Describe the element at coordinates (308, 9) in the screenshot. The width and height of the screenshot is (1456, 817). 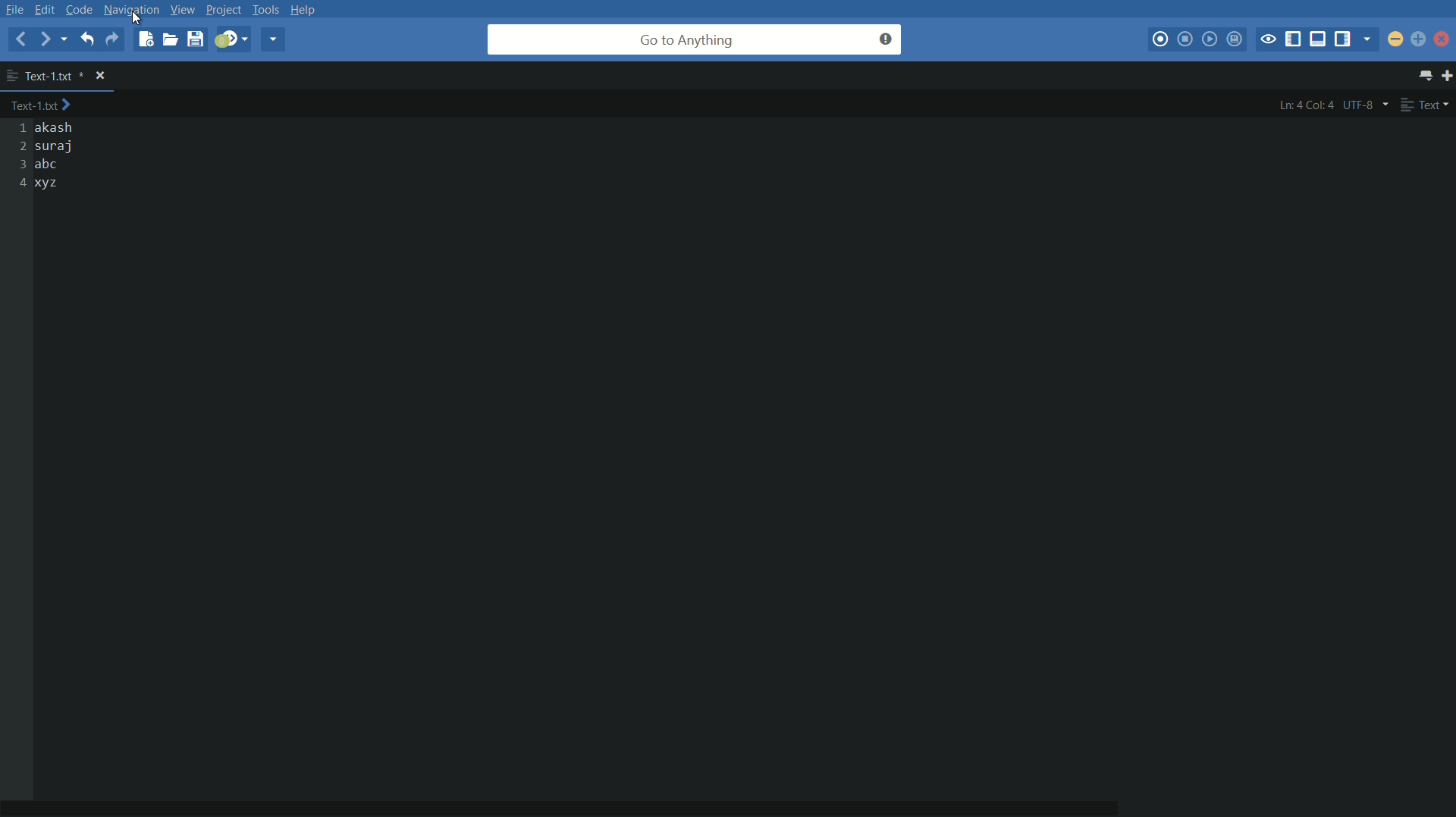
I see `help ` at that location.